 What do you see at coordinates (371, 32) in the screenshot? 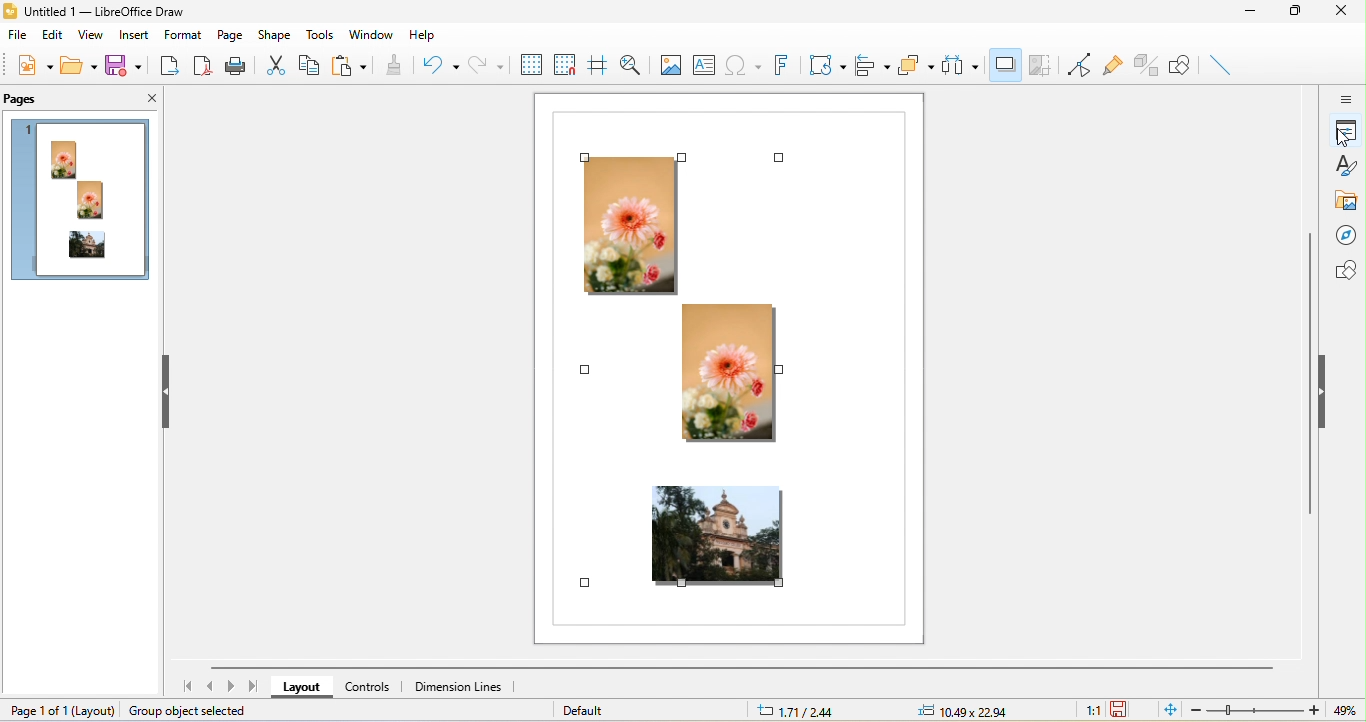
I see `window` at bounding box center [371, 32].